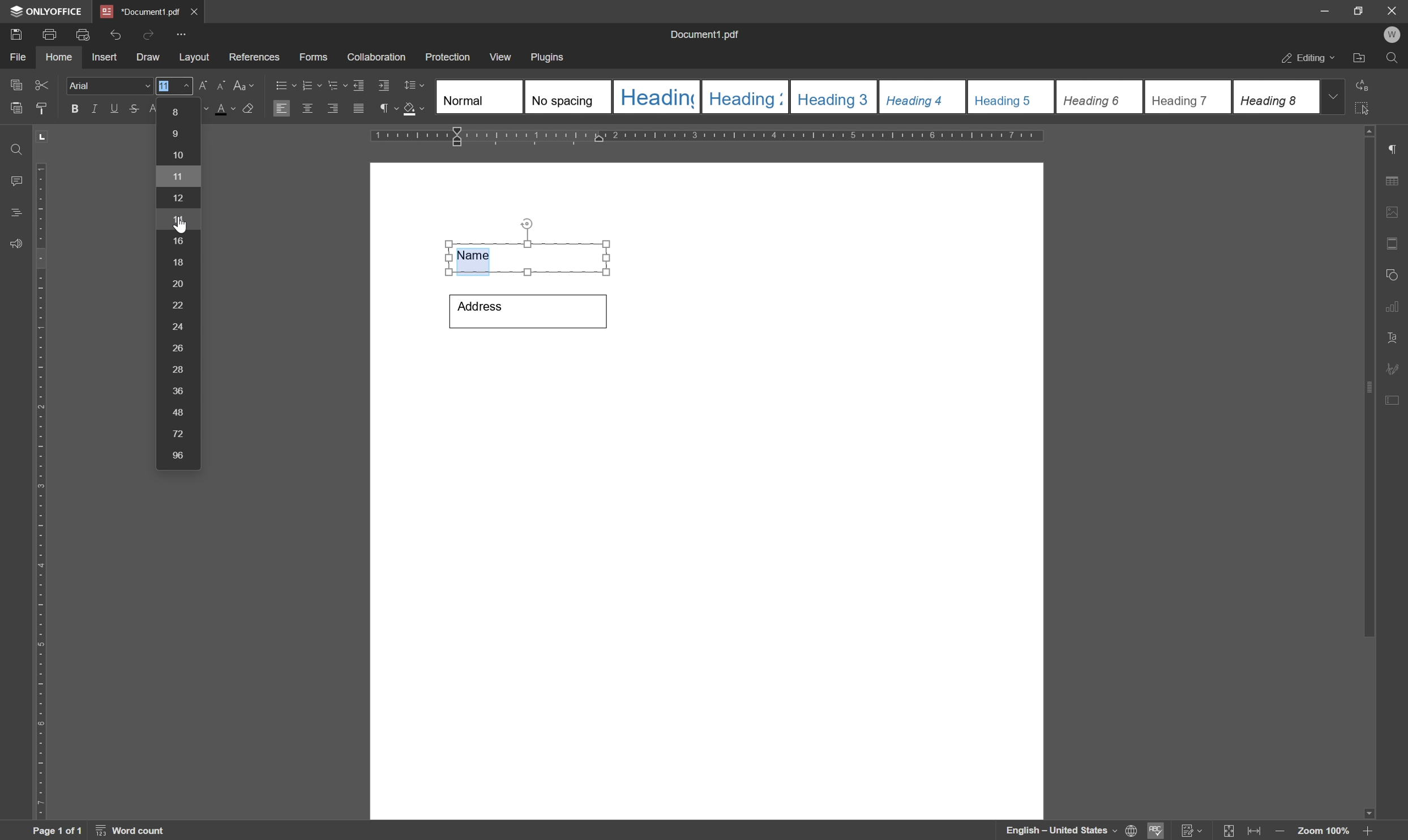  I want to click on drop down, so click(1334, 96).